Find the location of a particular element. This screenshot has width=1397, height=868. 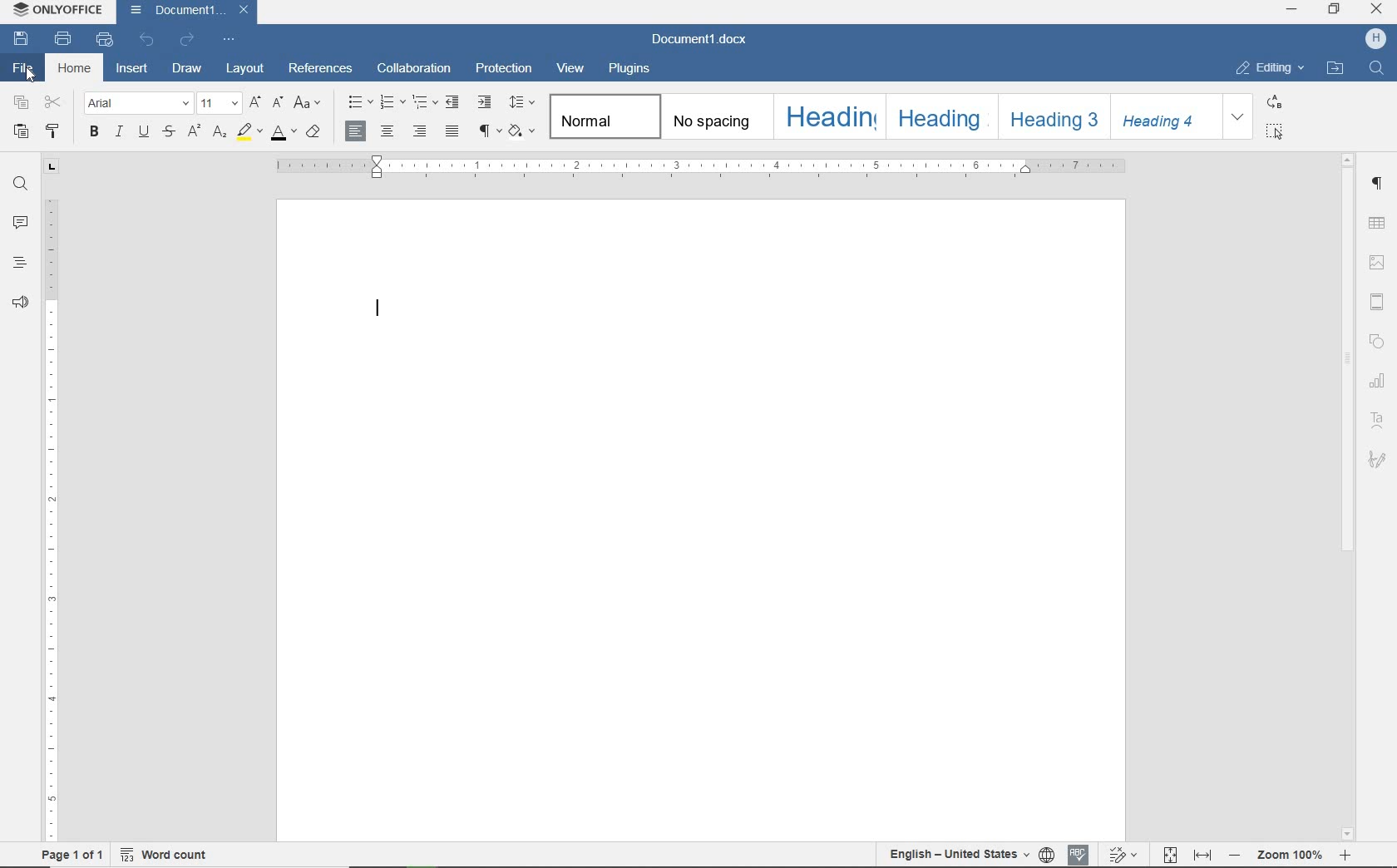

font is located at coordinates (138, 104).